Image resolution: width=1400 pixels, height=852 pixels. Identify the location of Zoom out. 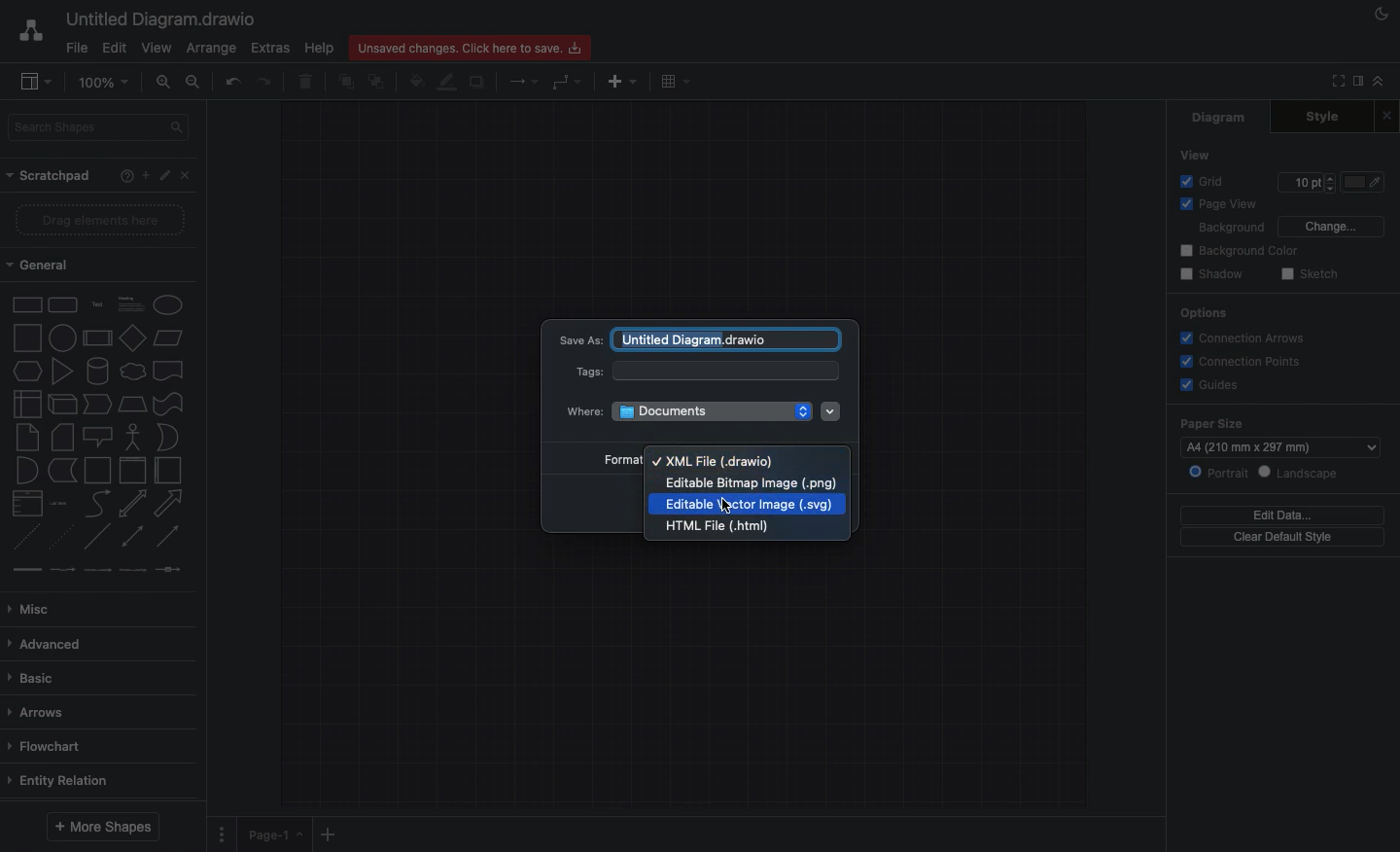
(194, 82).